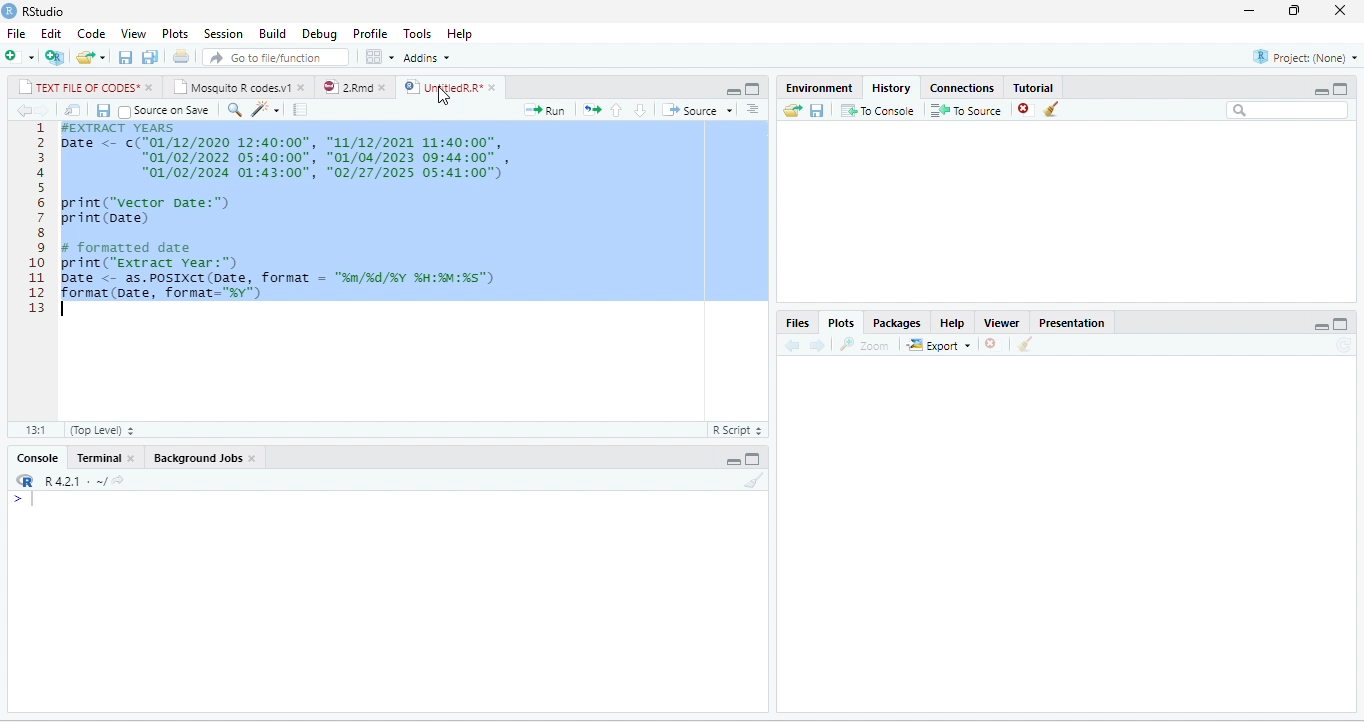  I want to click on close file, so click(996, 344).